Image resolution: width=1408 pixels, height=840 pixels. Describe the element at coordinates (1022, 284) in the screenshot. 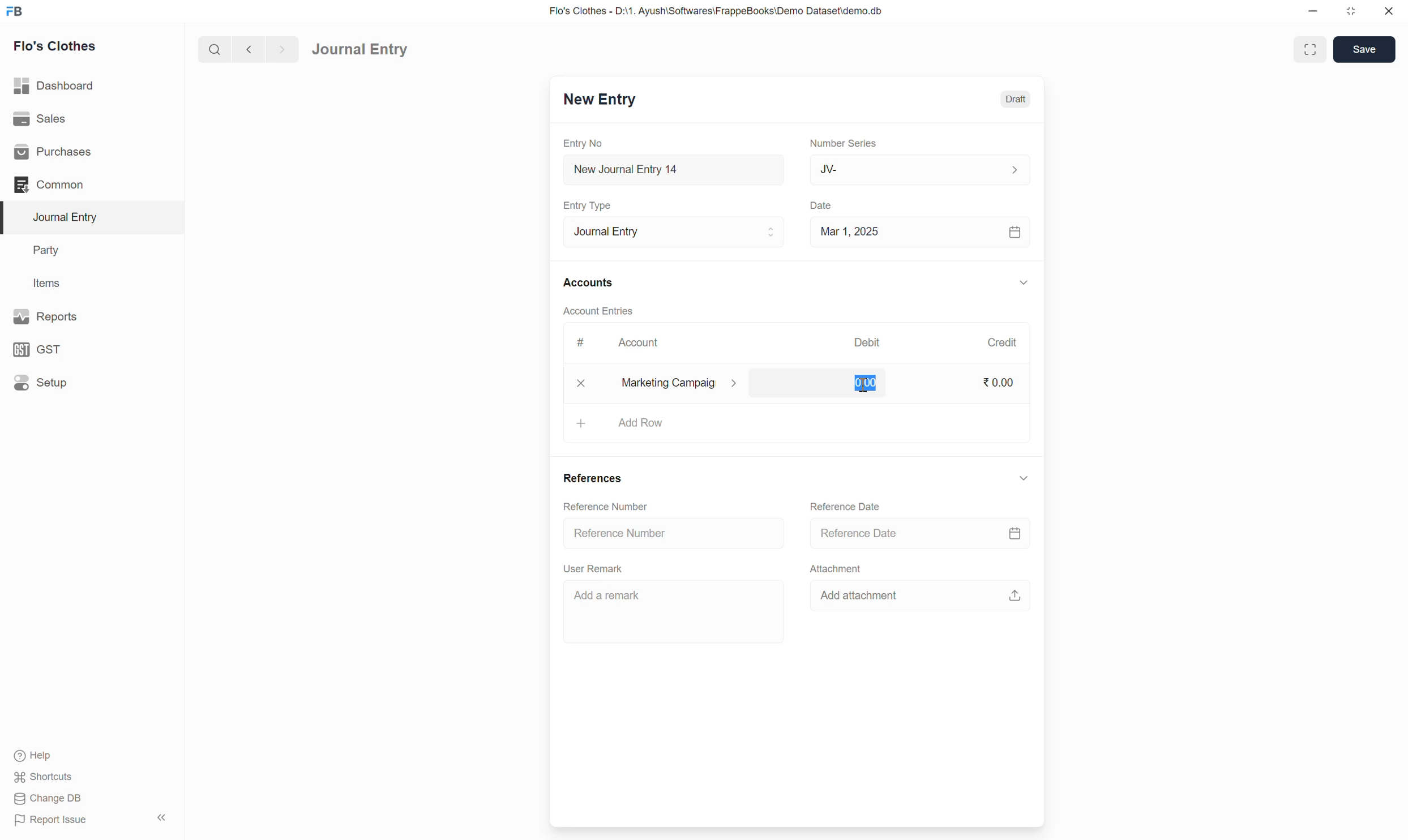

I see `down` at that location.